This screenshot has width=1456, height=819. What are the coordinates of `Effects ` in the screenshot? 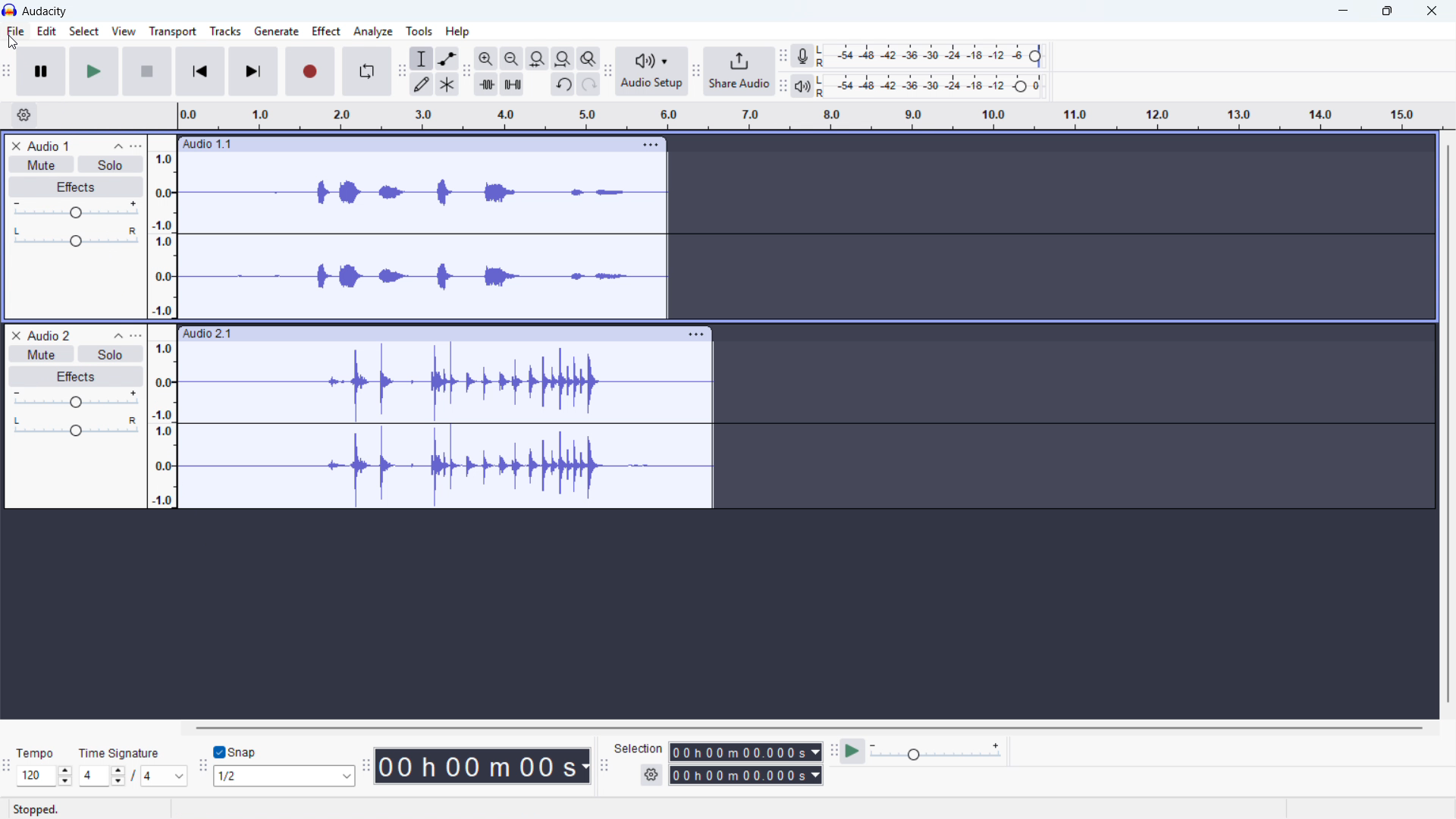 It's located at (76, 187).